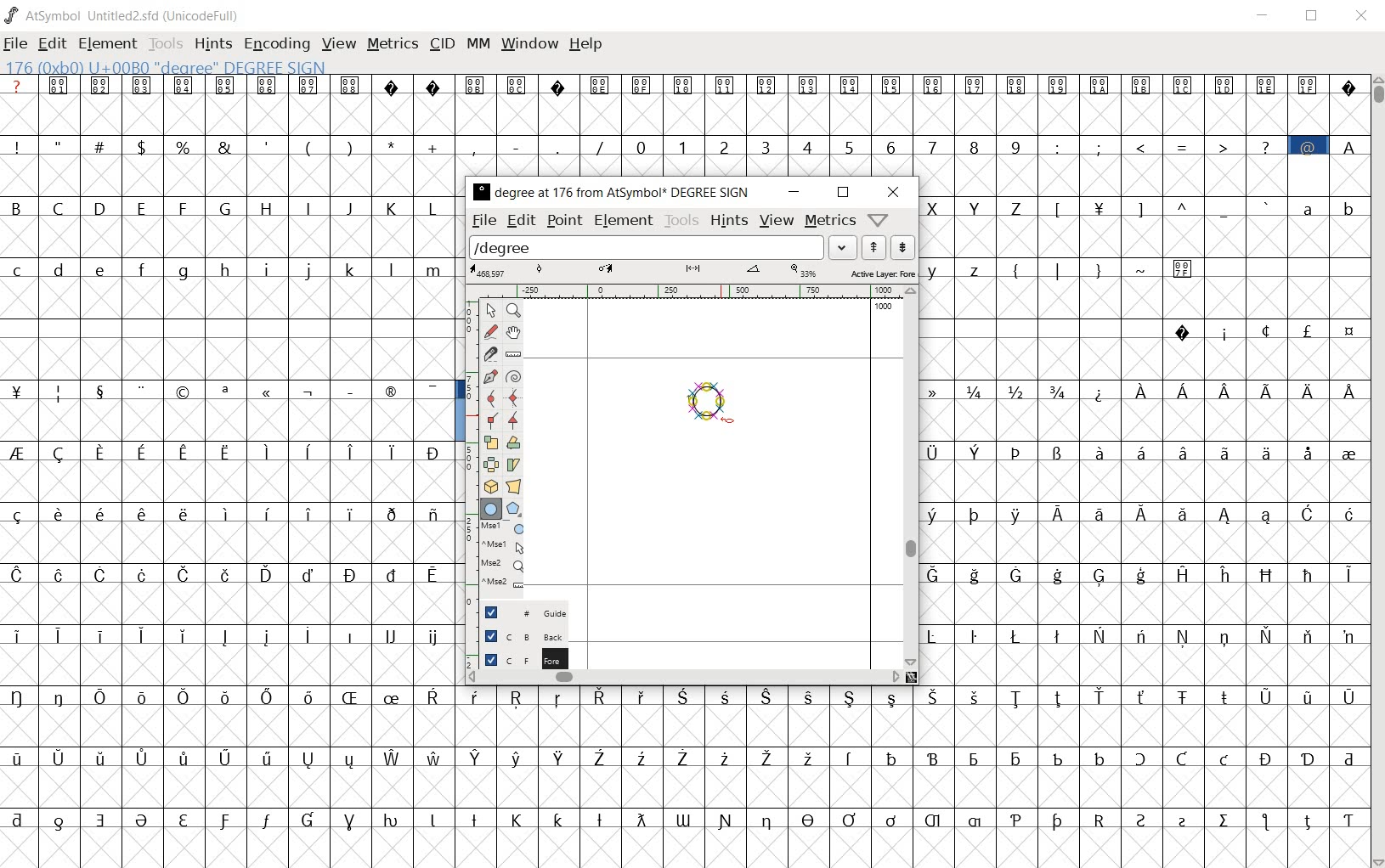 The image size is (1385, 868). I want to click on mse1 mse1 mse2 mse2, so click(496, 560).